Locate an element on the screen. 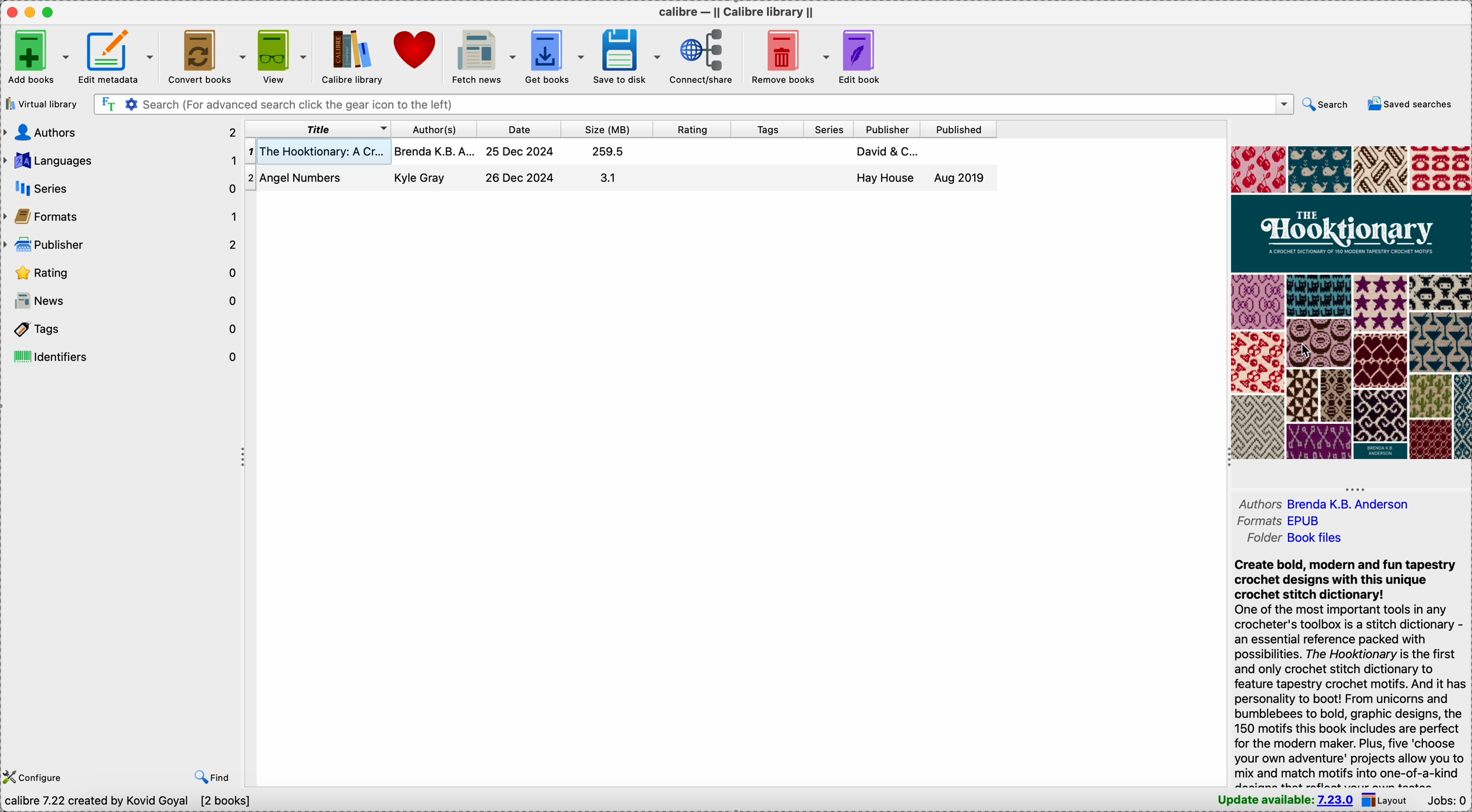 Image resolution: width=1472 pixels, height=812 pixels. close Calibre is located at coordinates (10, 12).